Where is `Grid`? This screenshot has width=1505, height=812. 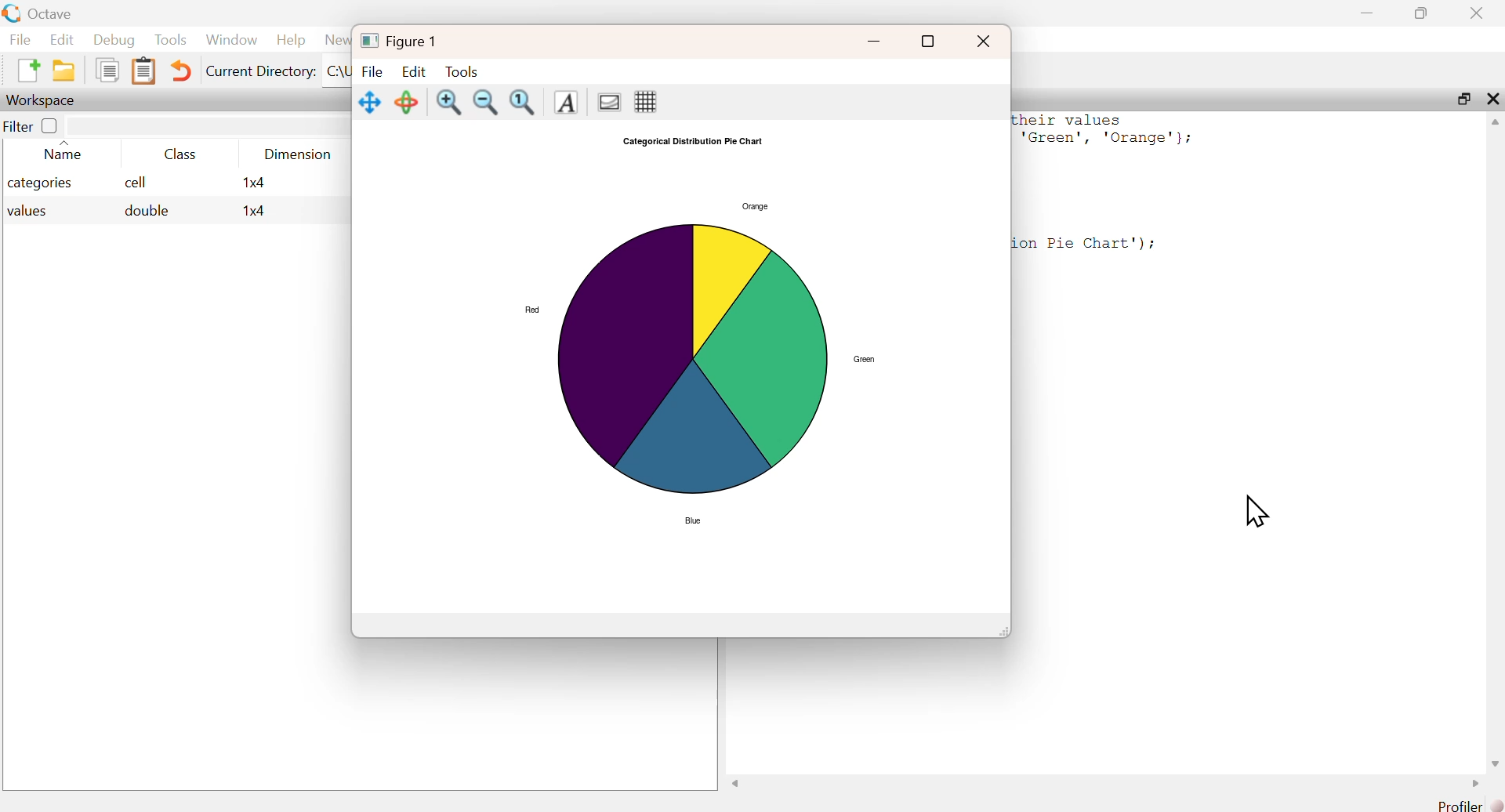 Grid is located at coordinates (646, 103).